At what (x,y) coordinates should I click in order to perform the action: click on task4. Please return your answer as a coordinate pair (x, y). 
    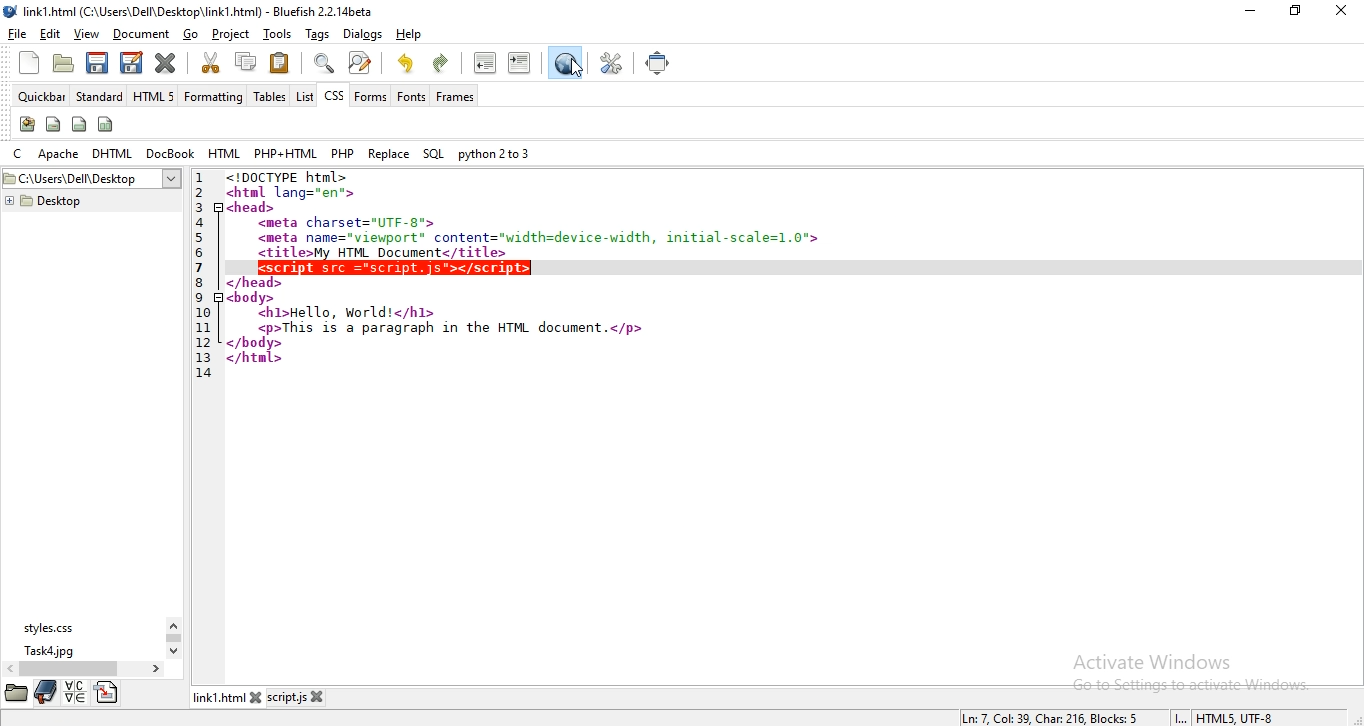
    Looking at the image, I should click on (51, 651).